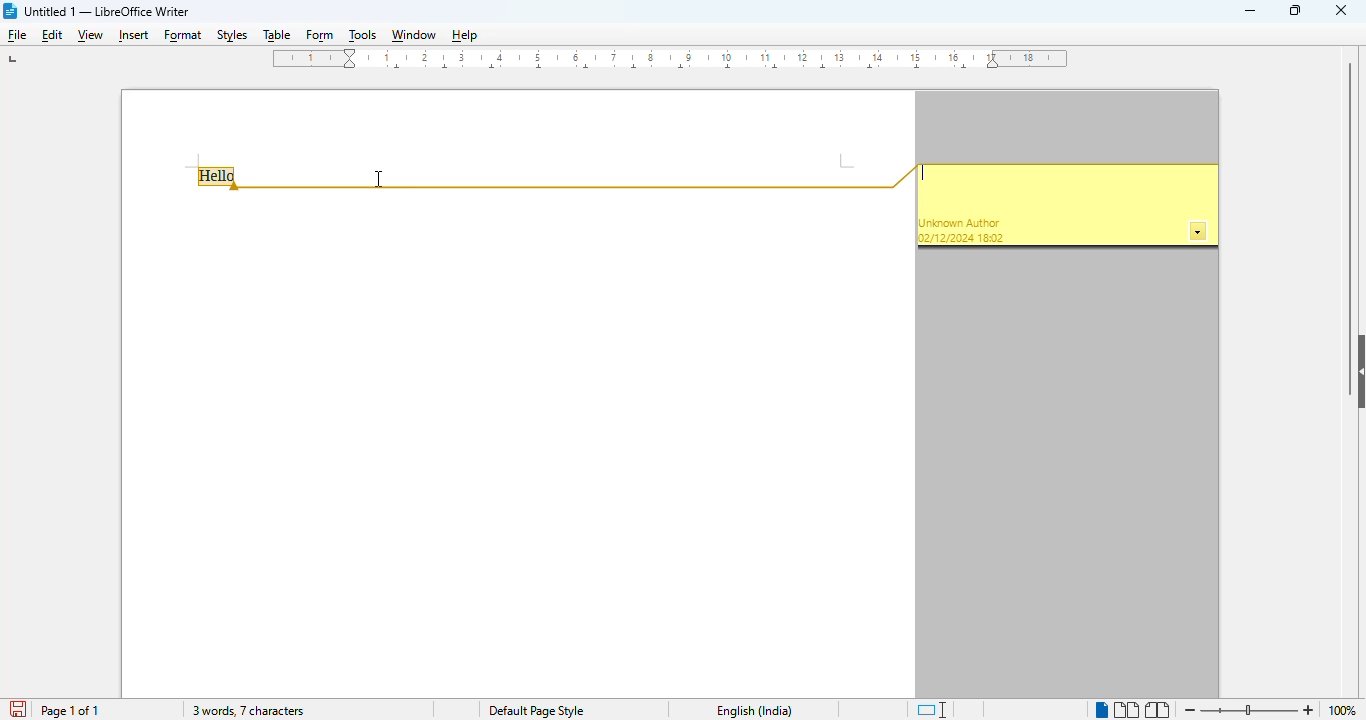 This screenshot has width=1366, height=720. What do you see at coordinates (464, 35) in the screenshot?
I see `help` at bounding box center [464, 35].